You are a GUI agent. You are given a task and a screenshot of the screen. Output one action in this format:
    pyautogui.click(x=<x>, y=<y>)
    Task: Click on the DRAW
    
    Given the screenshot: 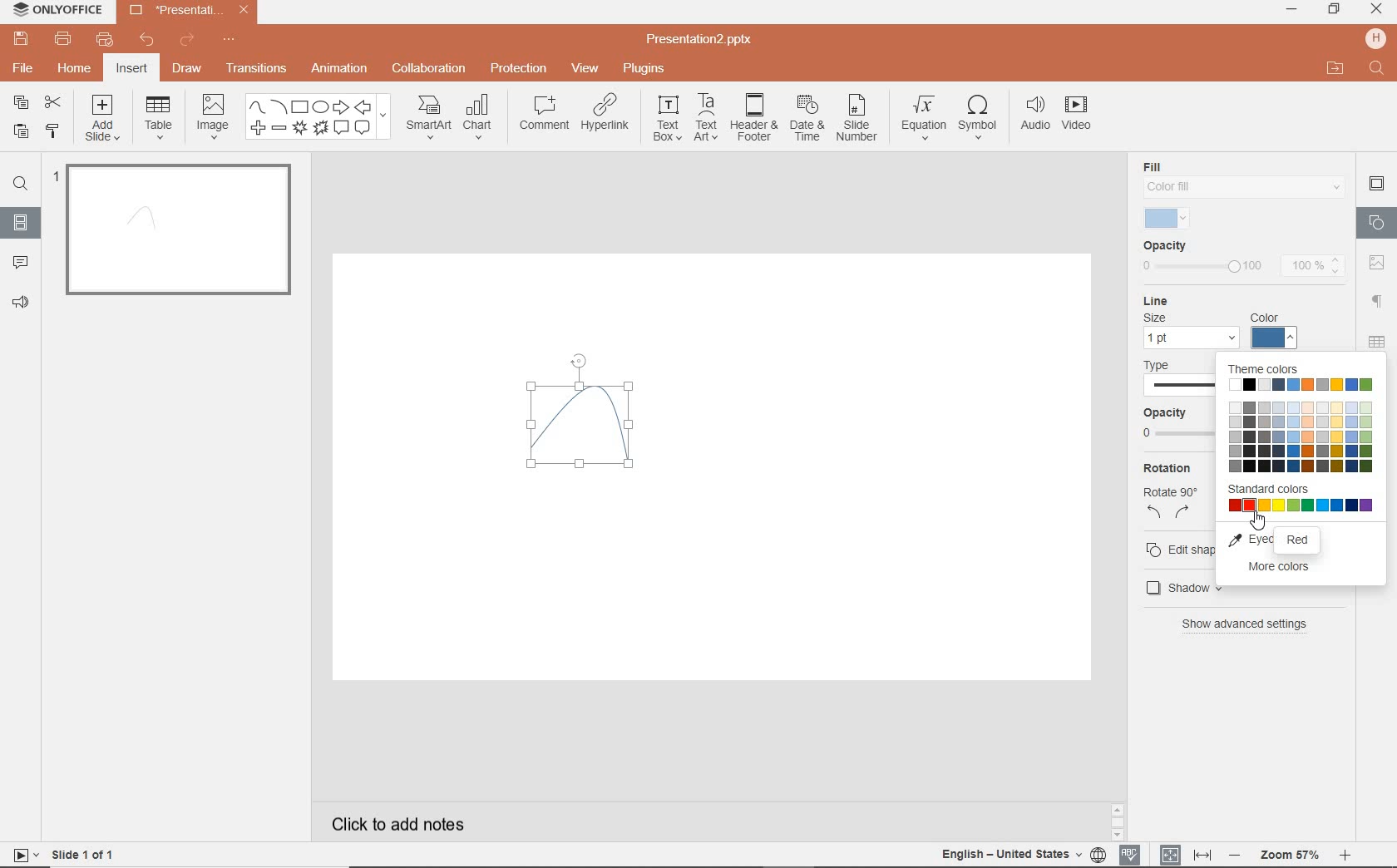 What is the action you would take?
    pyautogui.click(x=188, y=70)
    